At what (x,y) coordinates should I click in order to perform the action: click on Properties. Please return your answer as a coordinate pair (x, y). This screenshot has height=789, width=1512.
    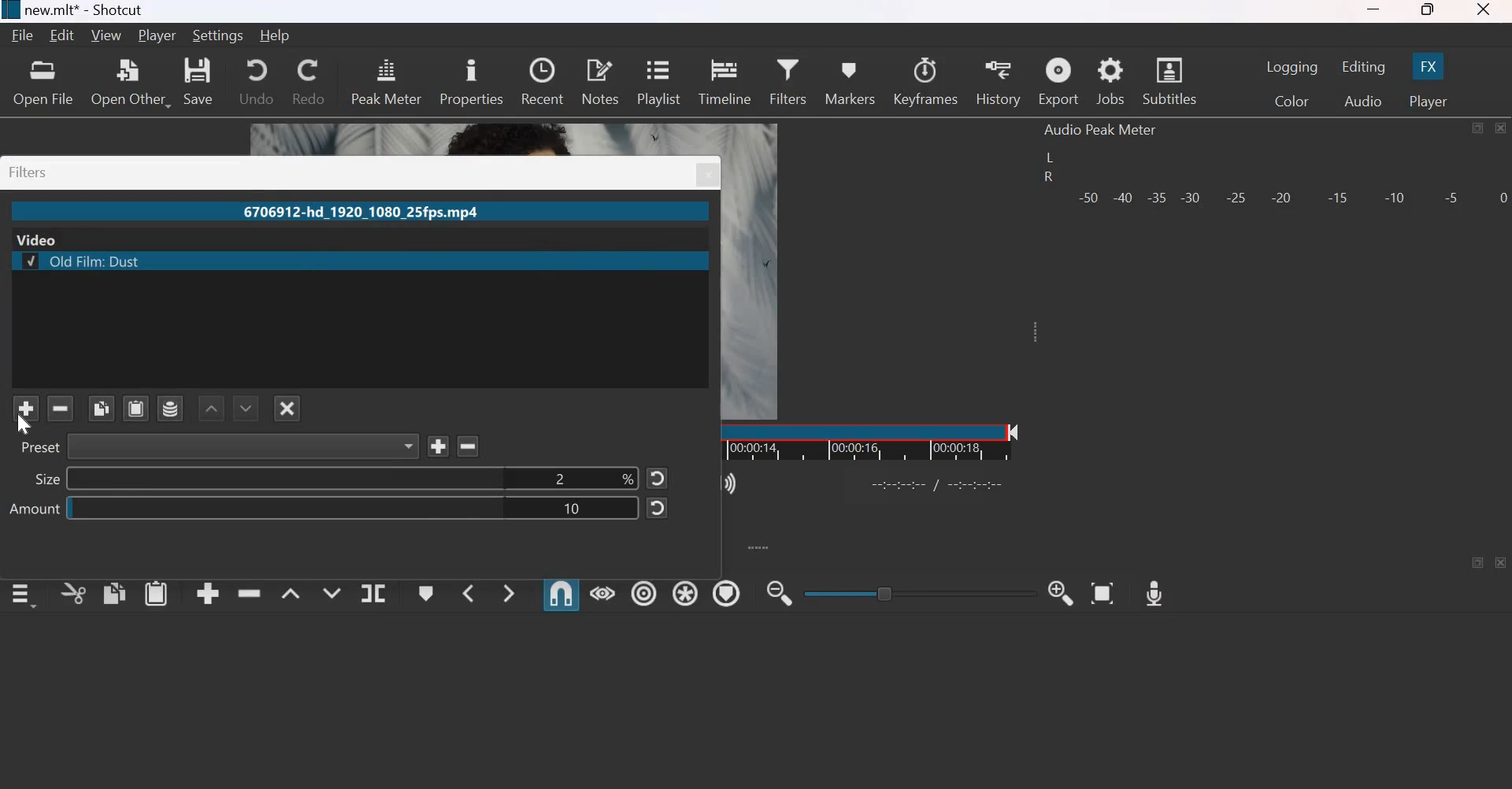
    Looking at the image, I should click on (471, 80).